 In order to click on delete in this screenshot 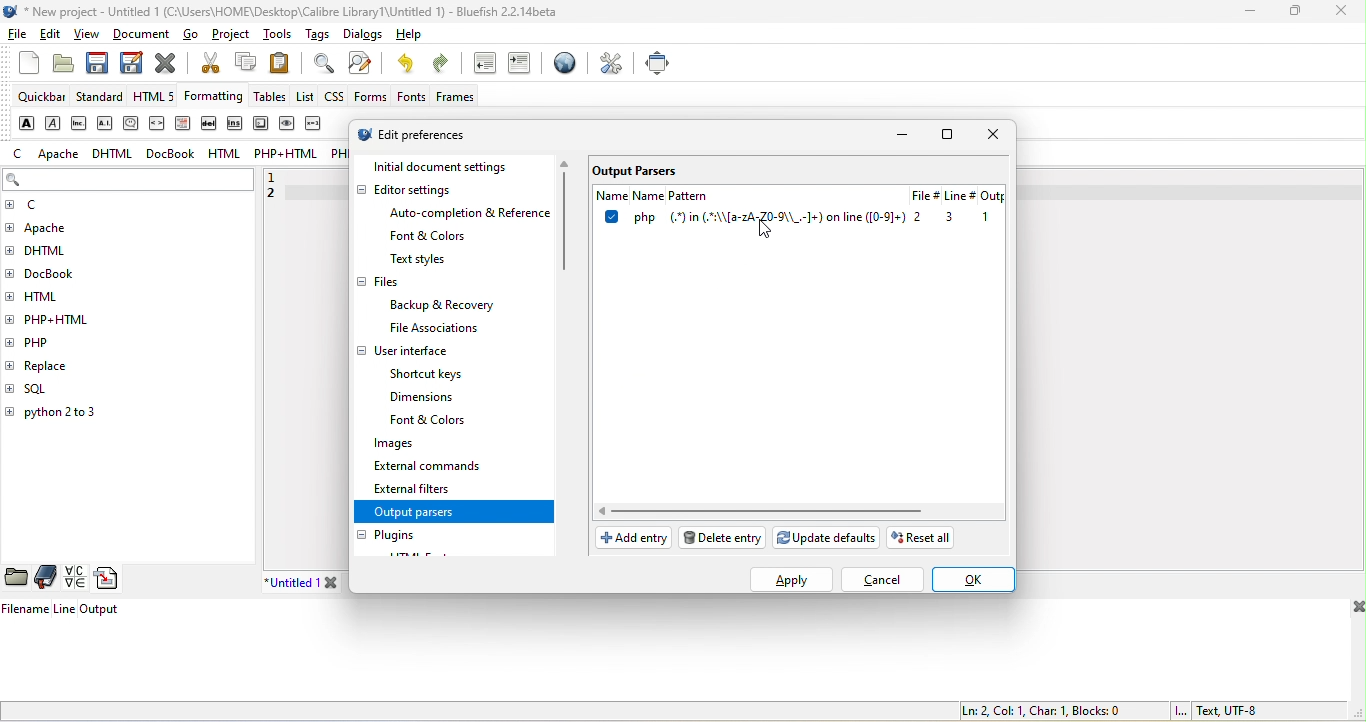, I will do `click(210, 123)`.